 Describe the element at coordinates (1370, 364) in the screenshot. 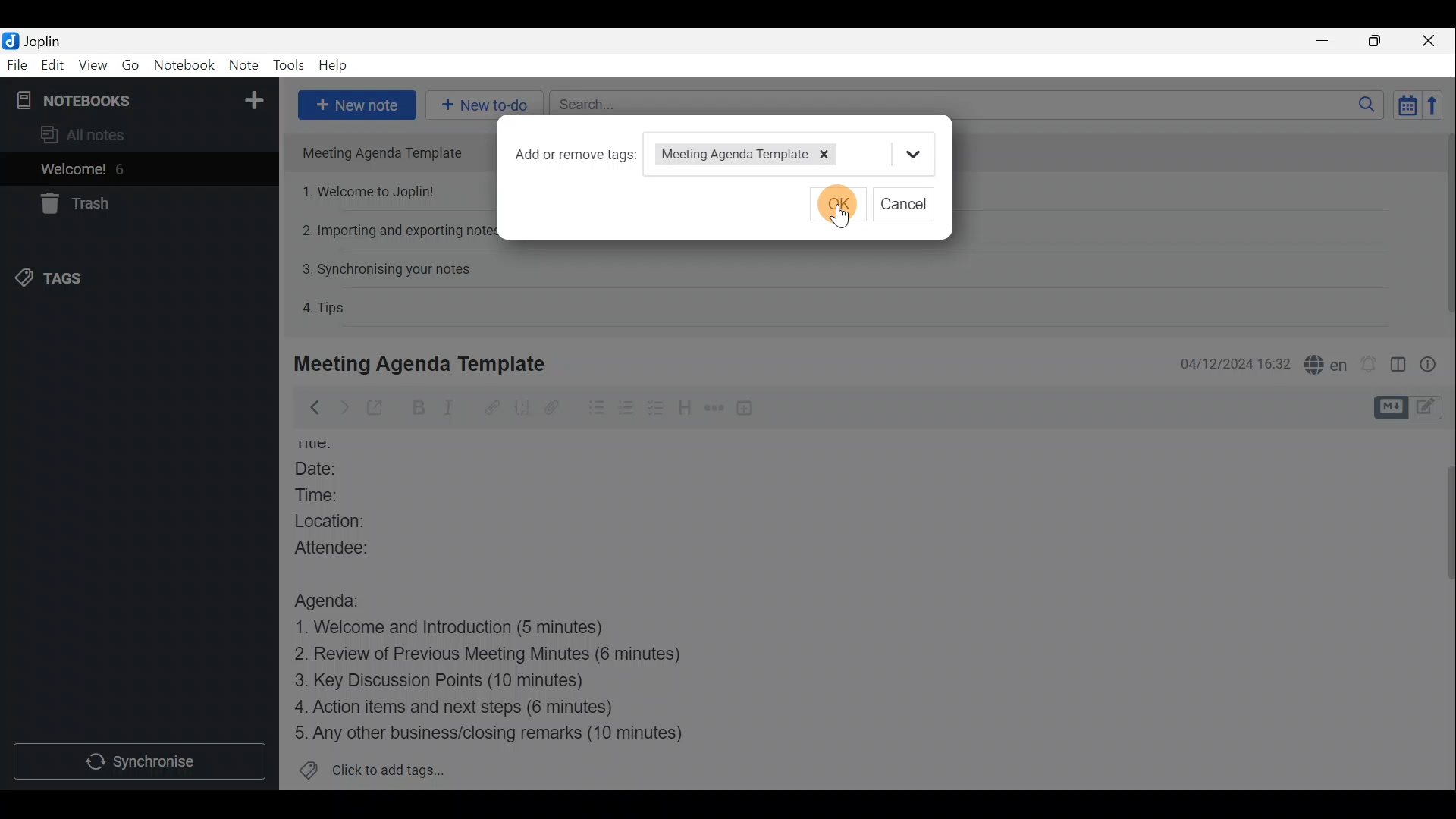

I see `Set alarm` at that location.